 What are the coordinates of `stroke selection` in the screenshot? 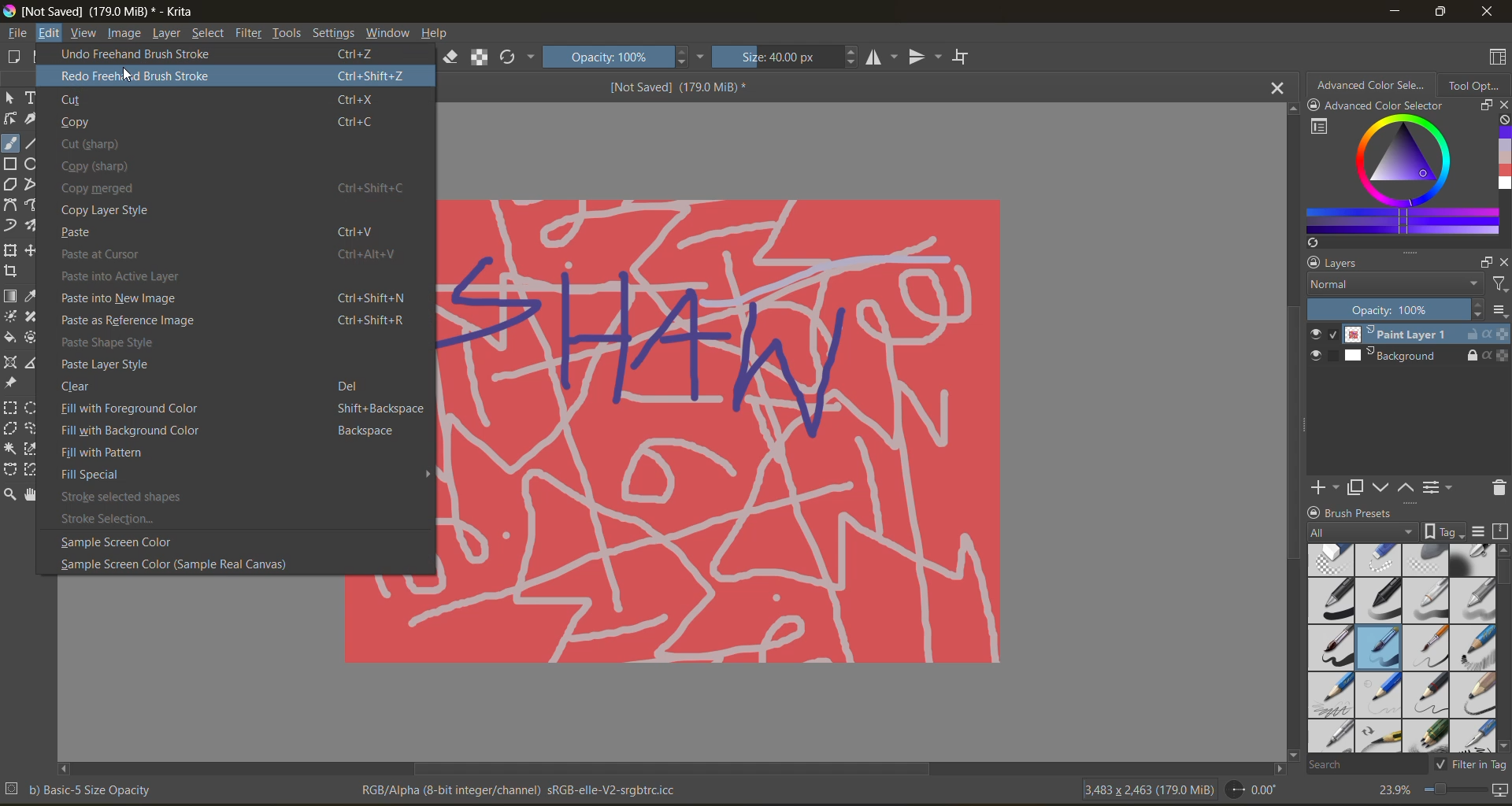 It's located at (110, 518).